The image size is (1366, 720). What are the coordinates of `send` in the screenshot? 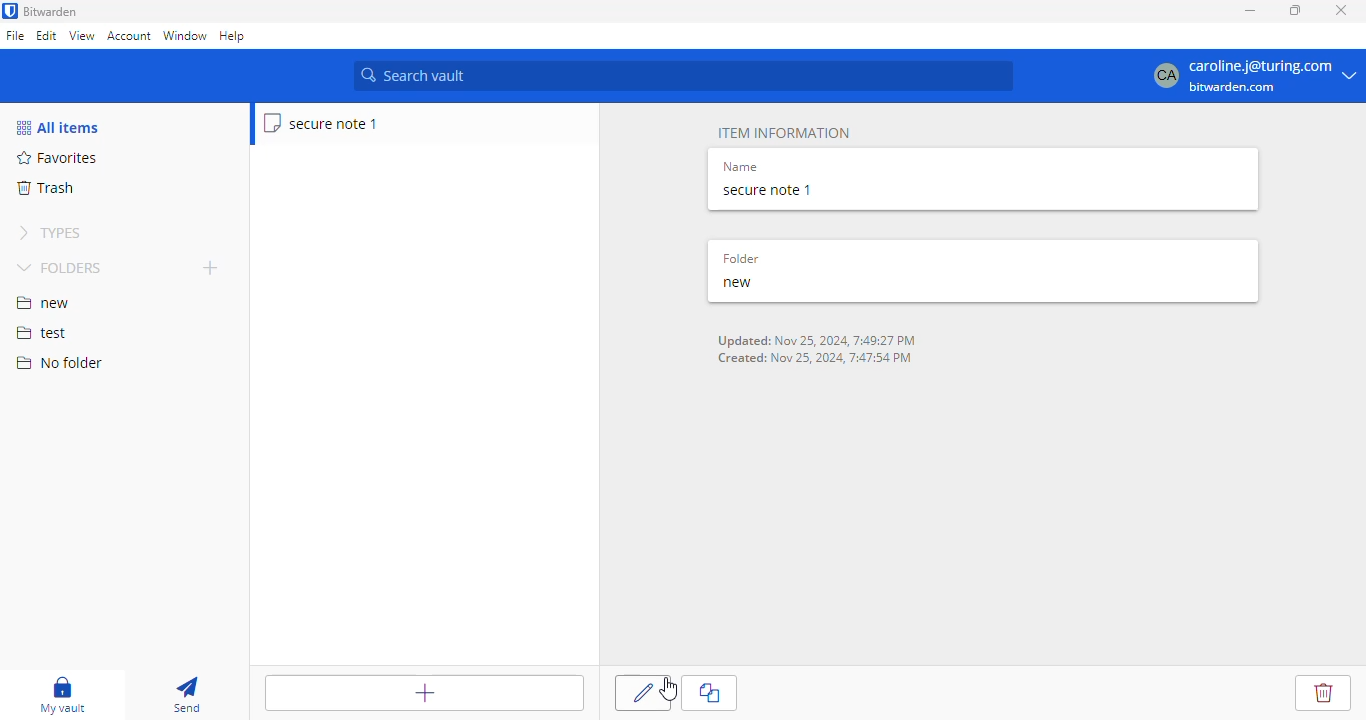 It's located at (187, 696).